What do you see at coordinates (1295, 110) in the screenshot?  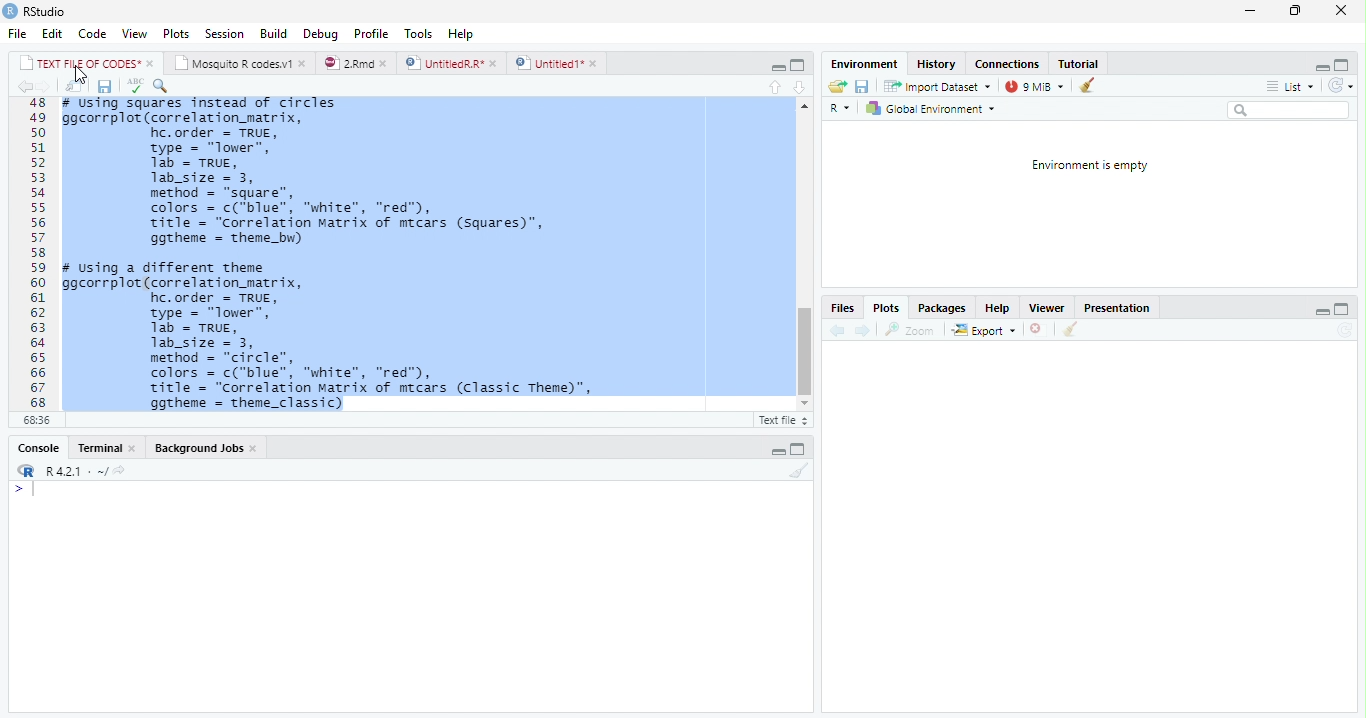 I see `search bar` at bounding box center [1295, 110].